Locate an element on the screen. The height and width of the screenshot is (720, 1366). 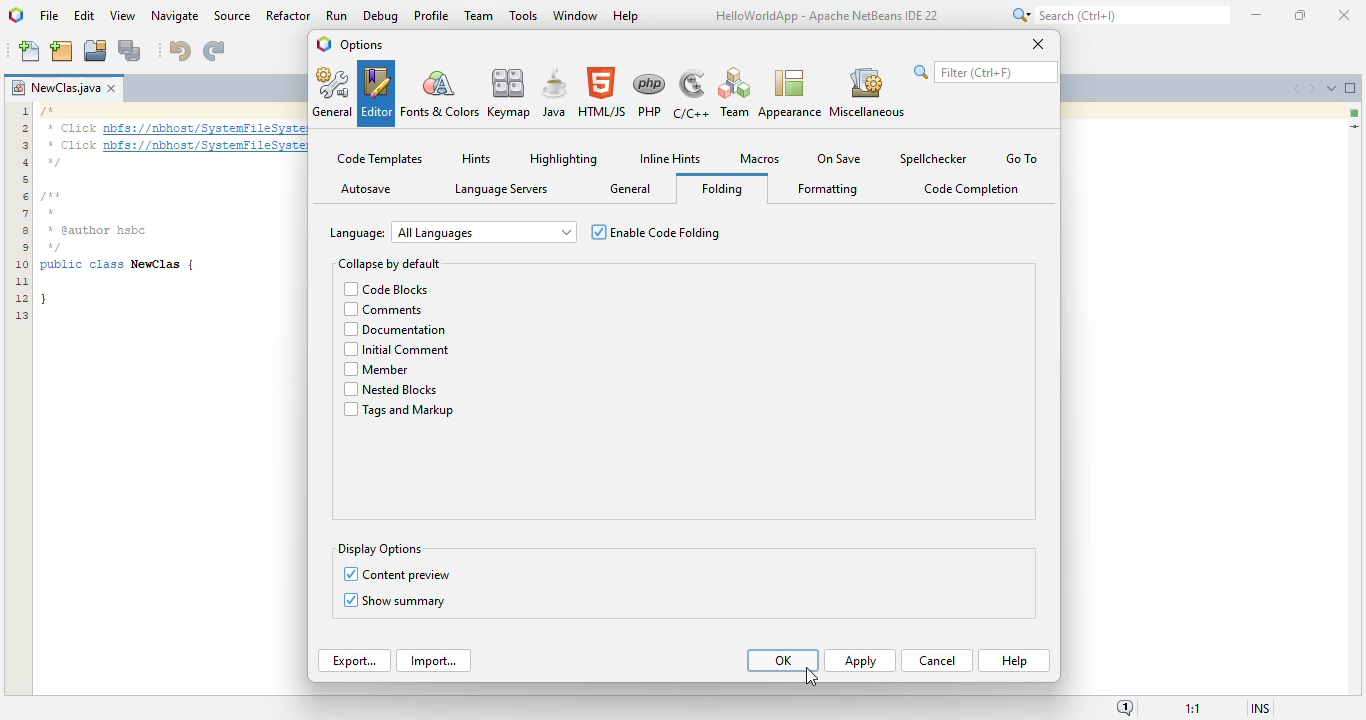
notifications is located at coordinates (1124, 708).